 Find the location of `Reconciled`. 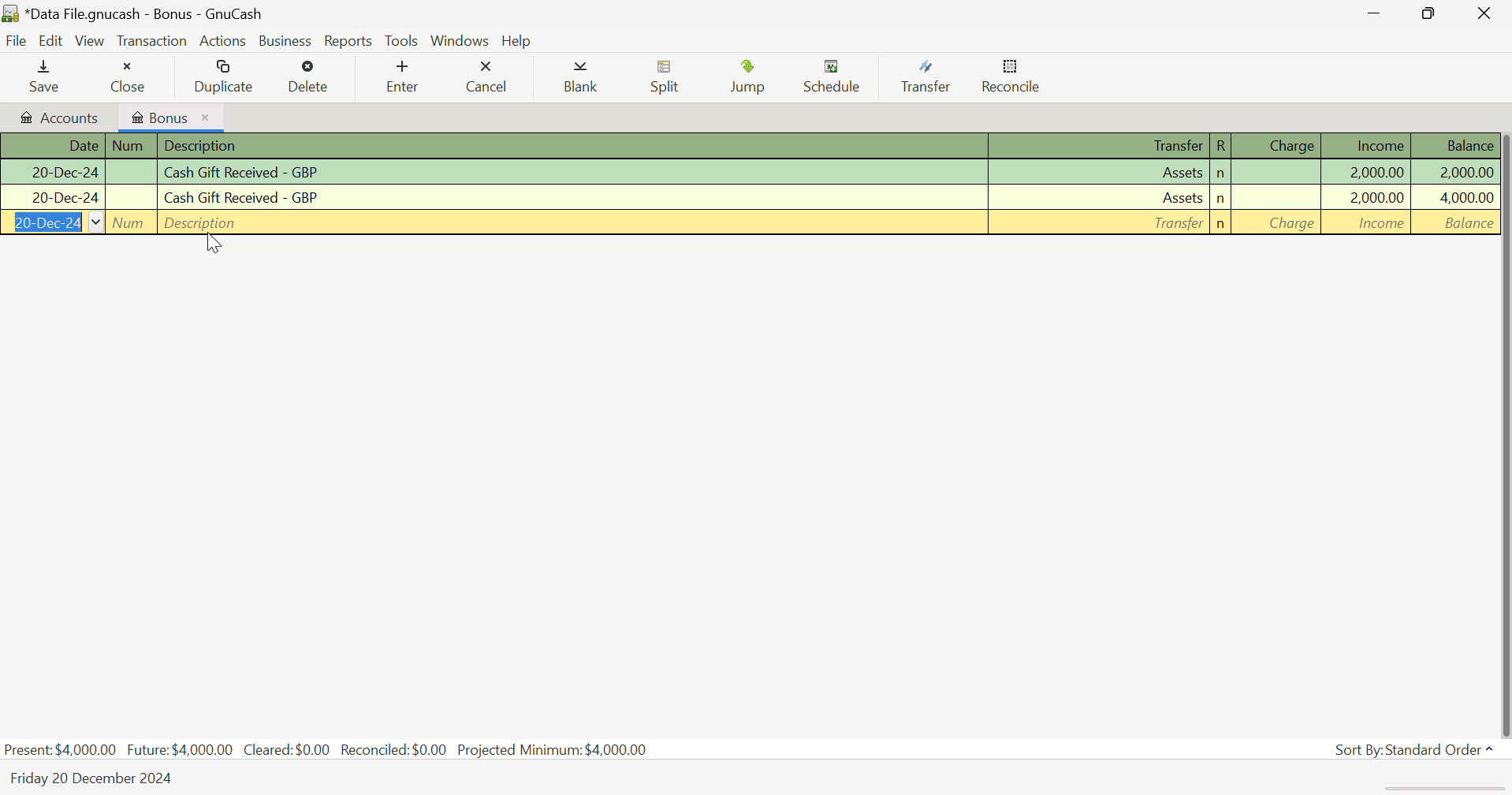

Reconciled is located at coordinates (397, 748).